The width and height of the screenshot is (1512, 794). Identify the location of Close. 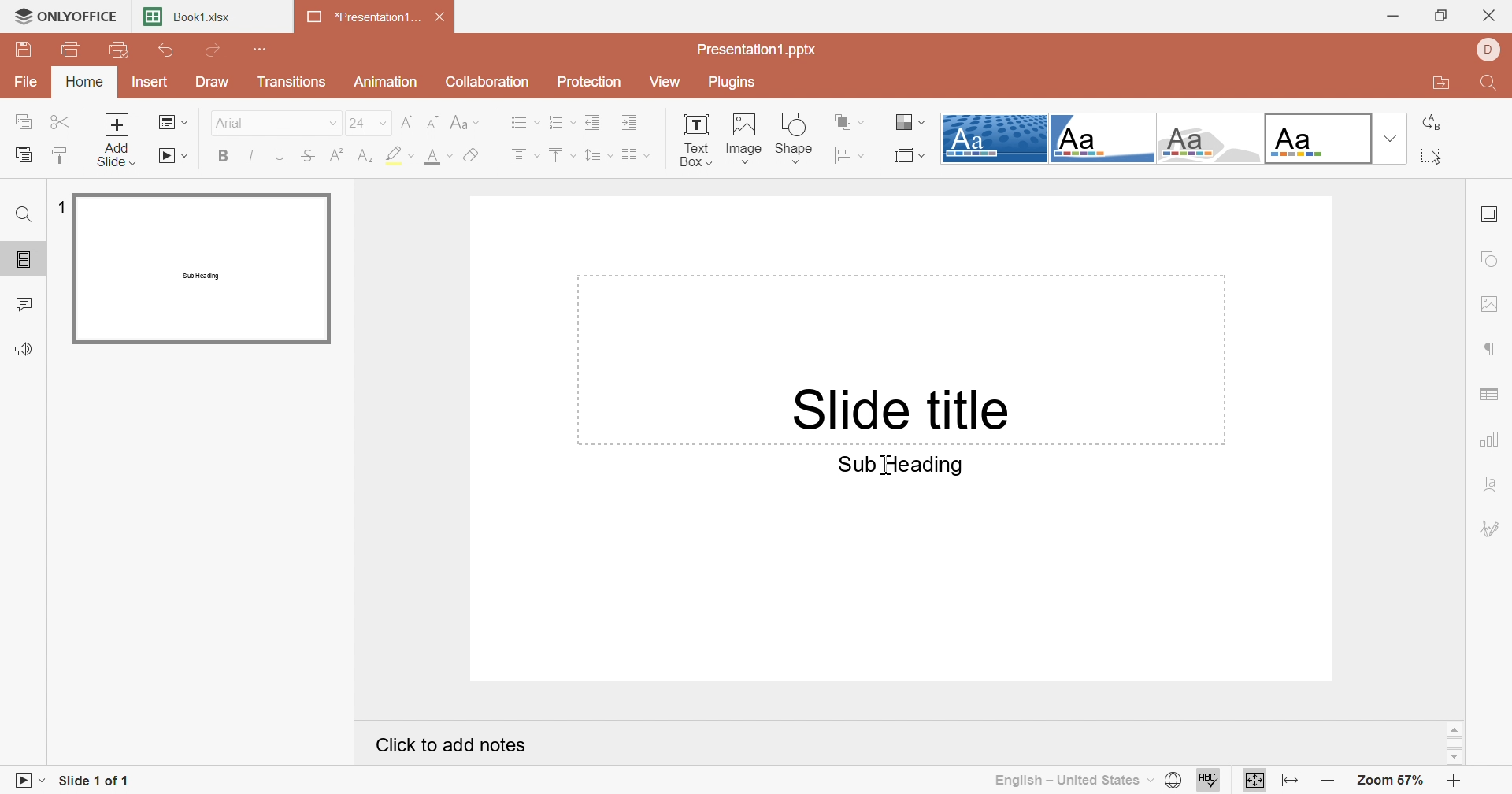
(439, 15).